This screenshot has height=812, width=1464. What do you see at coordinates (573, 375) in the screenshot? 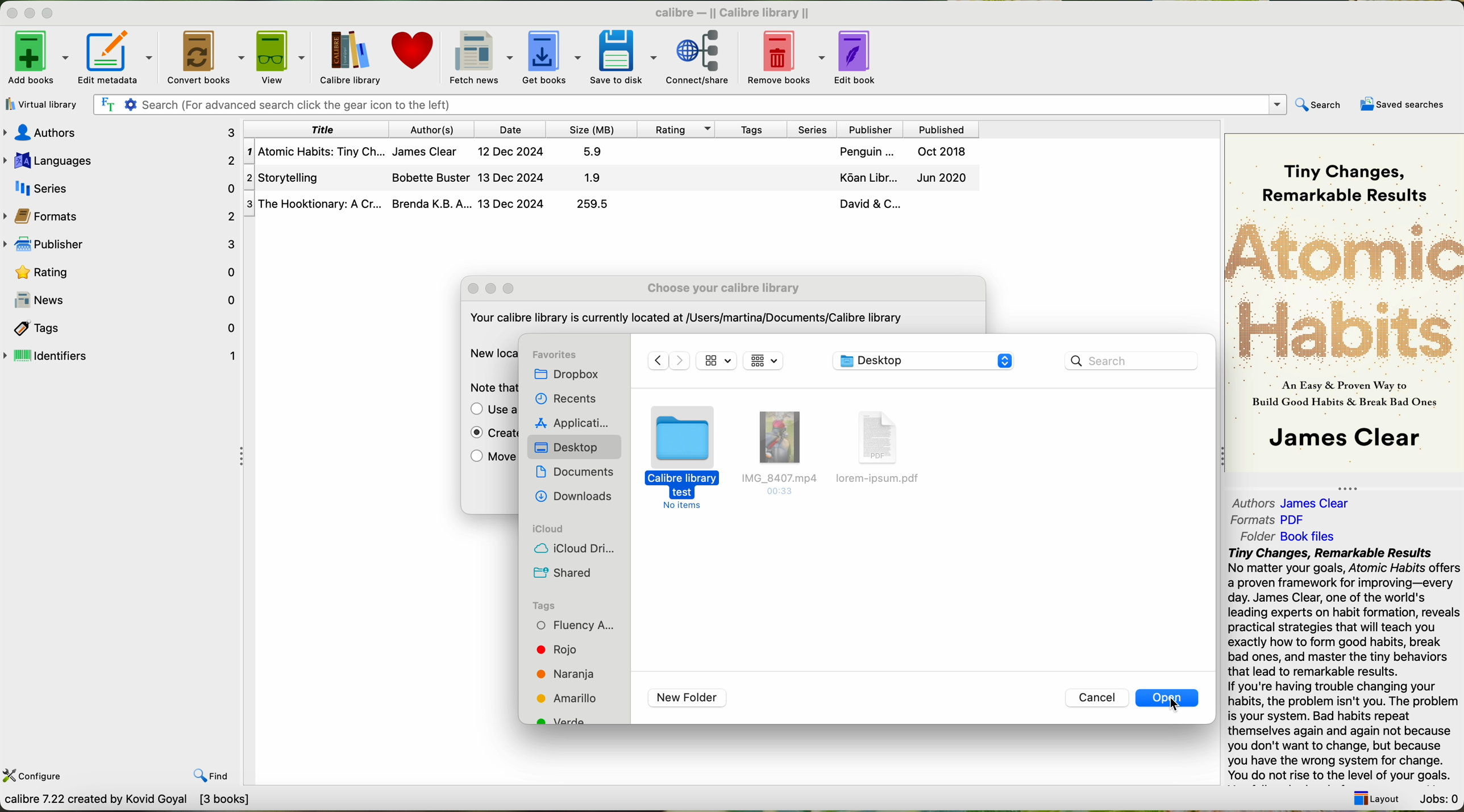
I see `dropbox` at bounding box center [573, 375].